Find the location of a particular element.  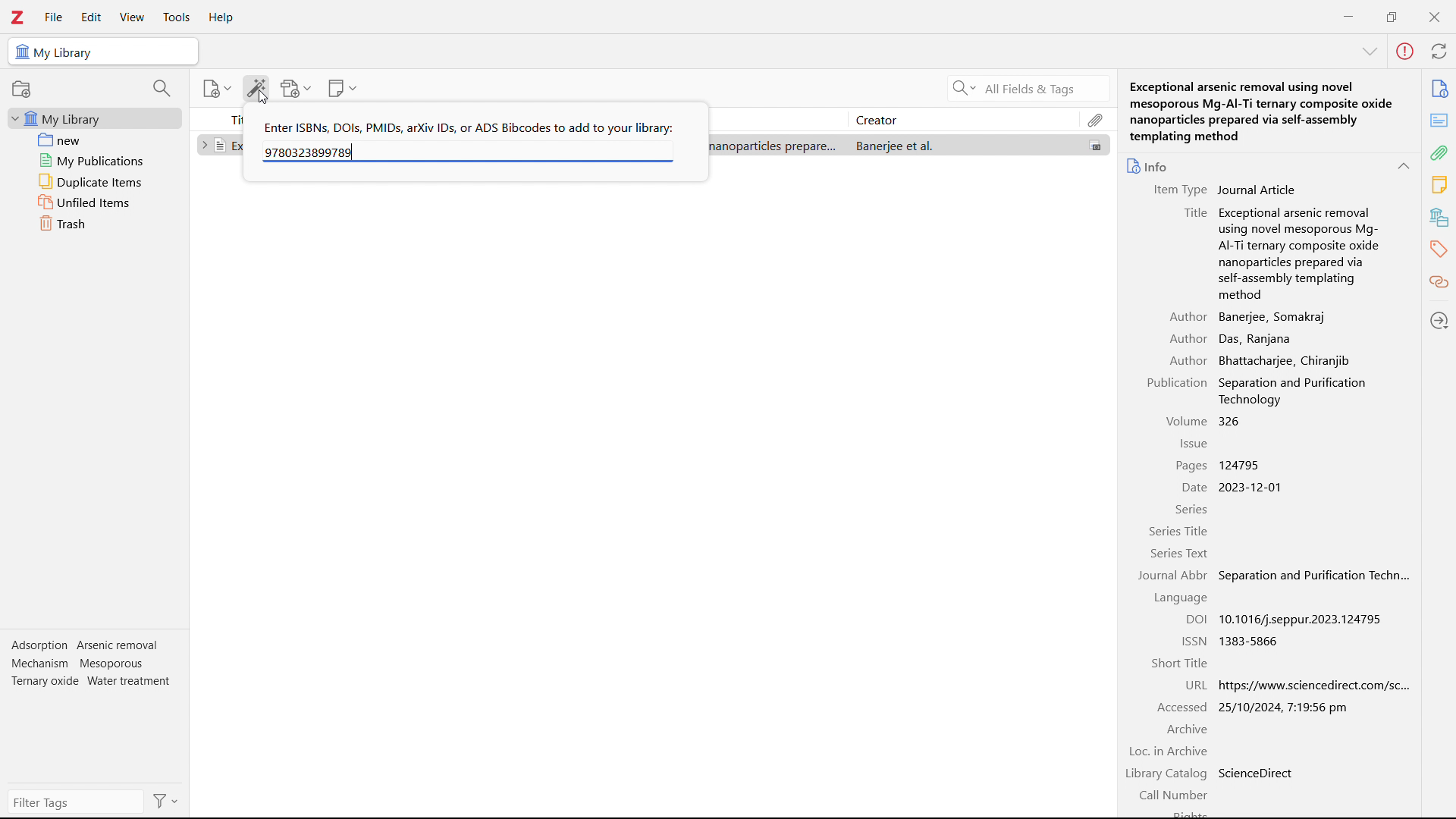

Das, Ranjana is located at coordinates (1259, 339).